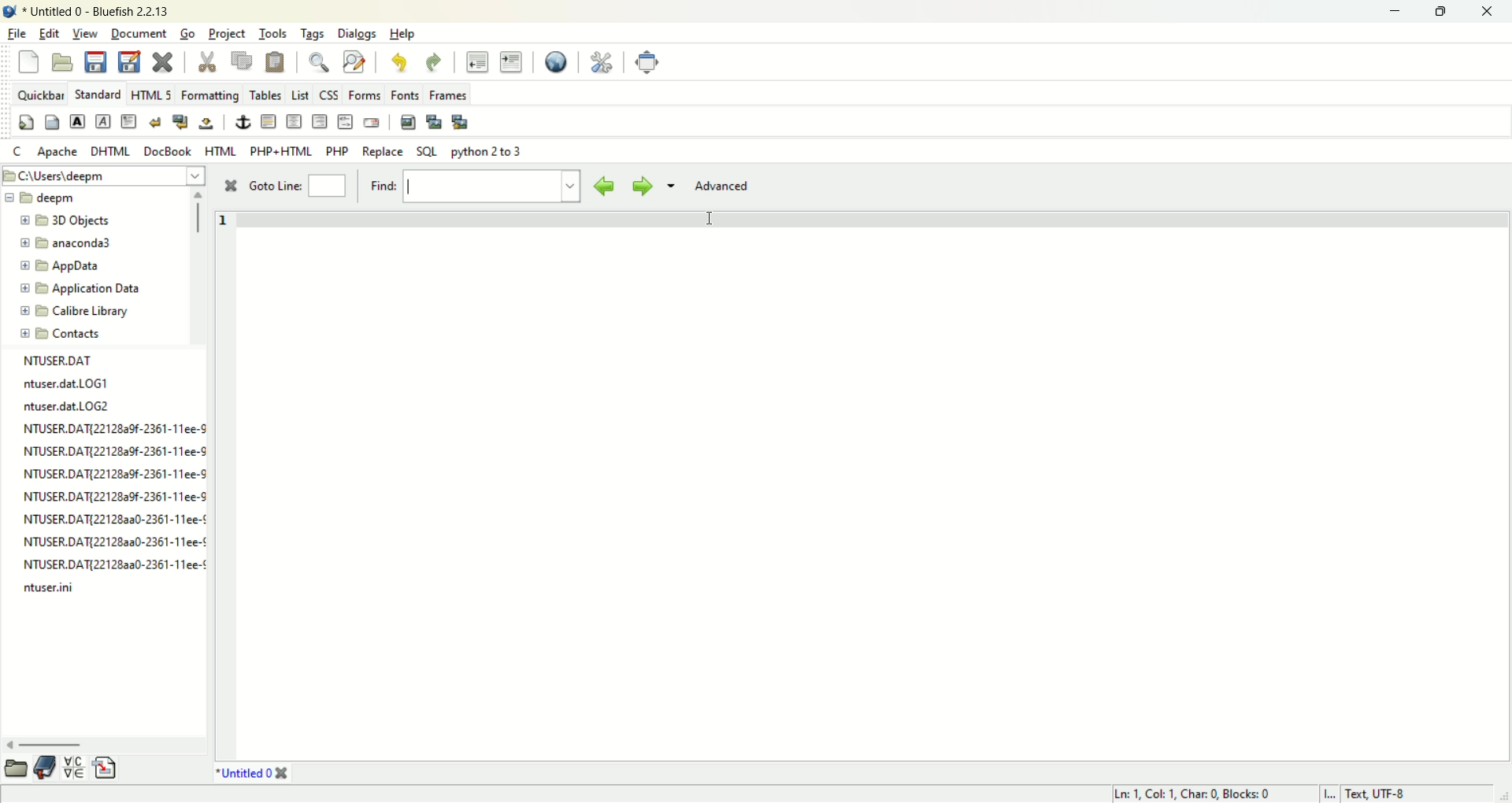 The image size is (1512, 803). I want to click on HTML, so click(221, 150).